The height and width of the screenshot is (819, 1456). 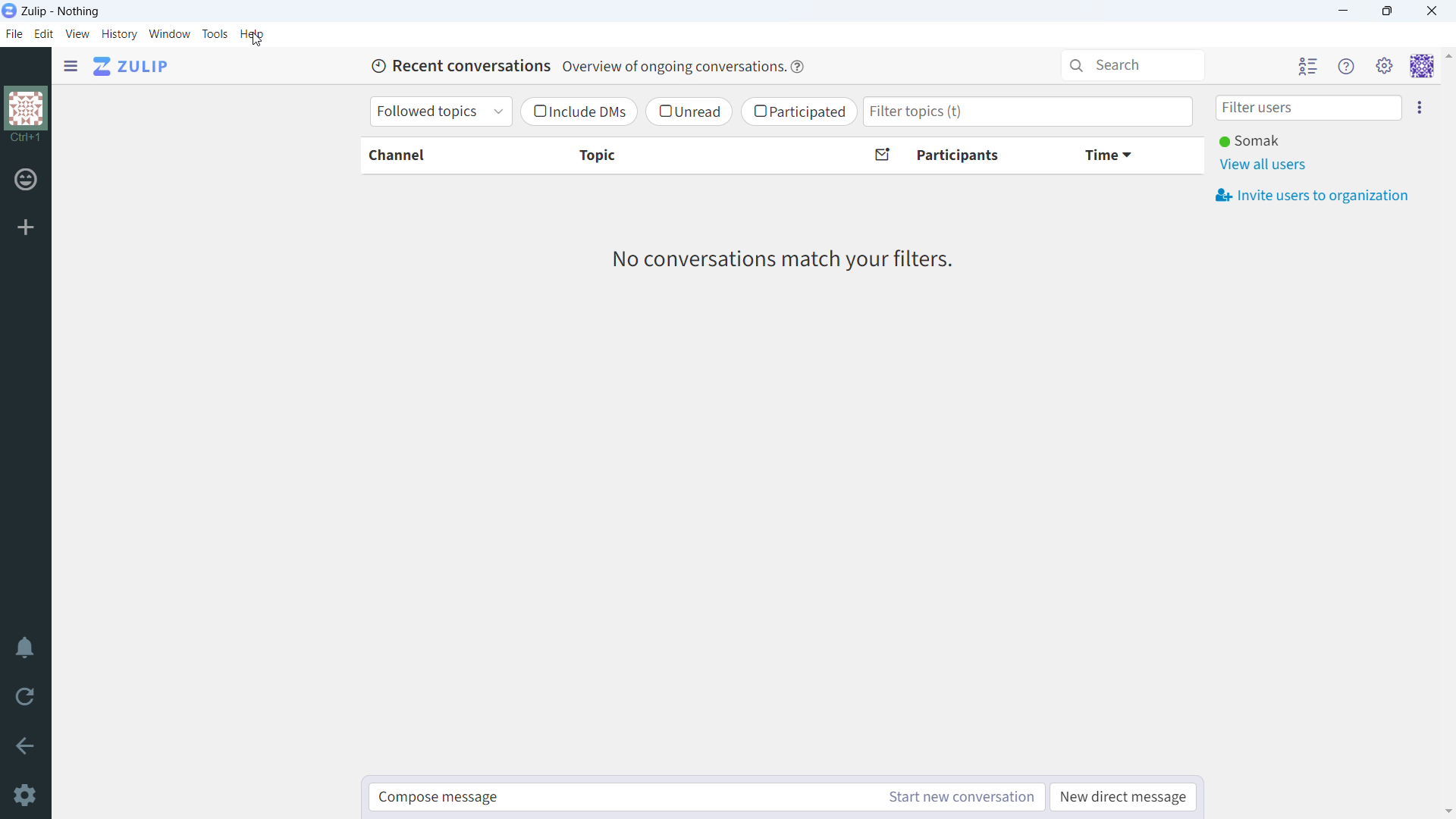 I want to click on show sidebar menu, so click(x=73, y=67).